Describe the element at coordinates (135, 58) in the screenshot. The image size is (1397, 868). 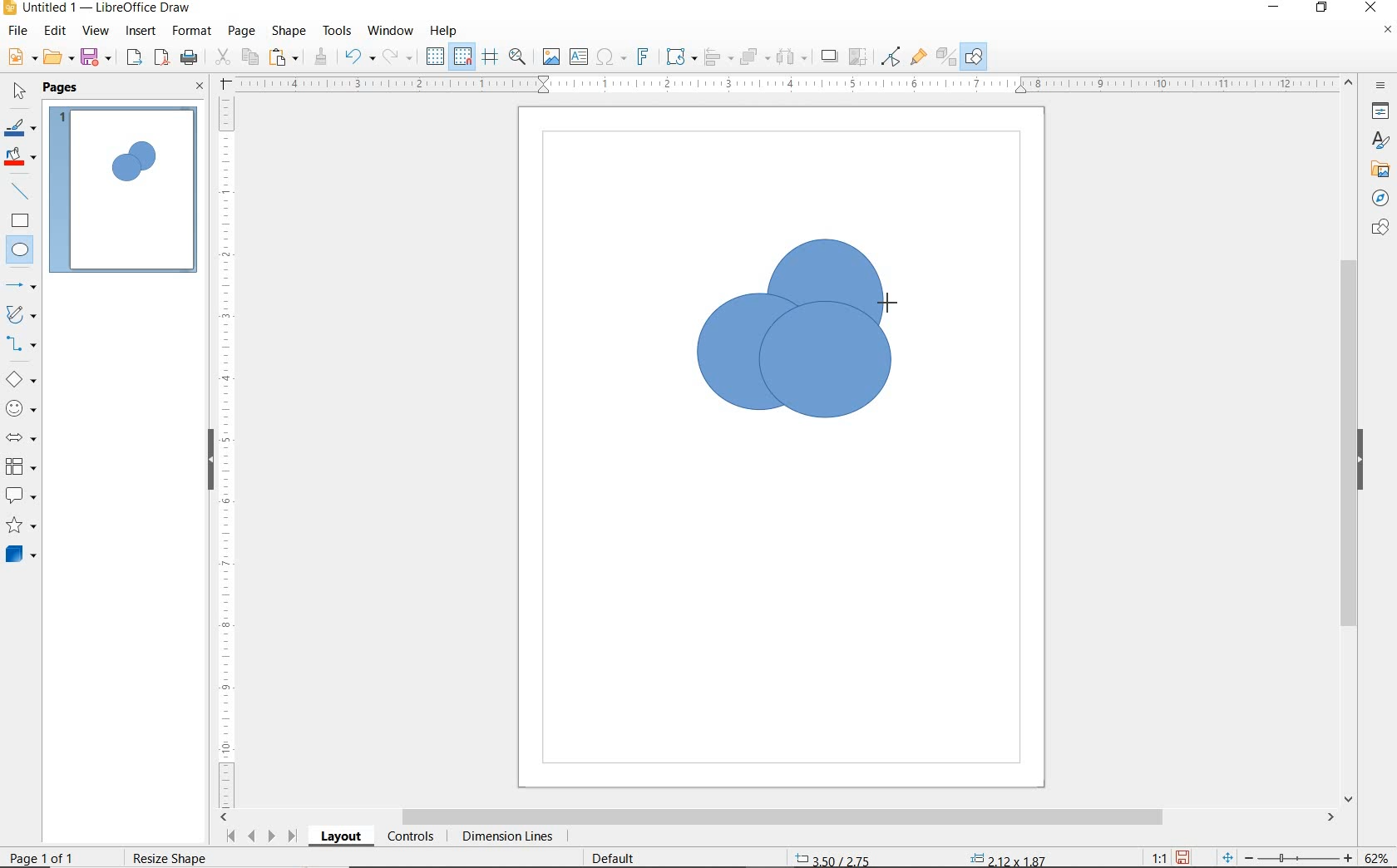
I see `EXPORT` at that location.